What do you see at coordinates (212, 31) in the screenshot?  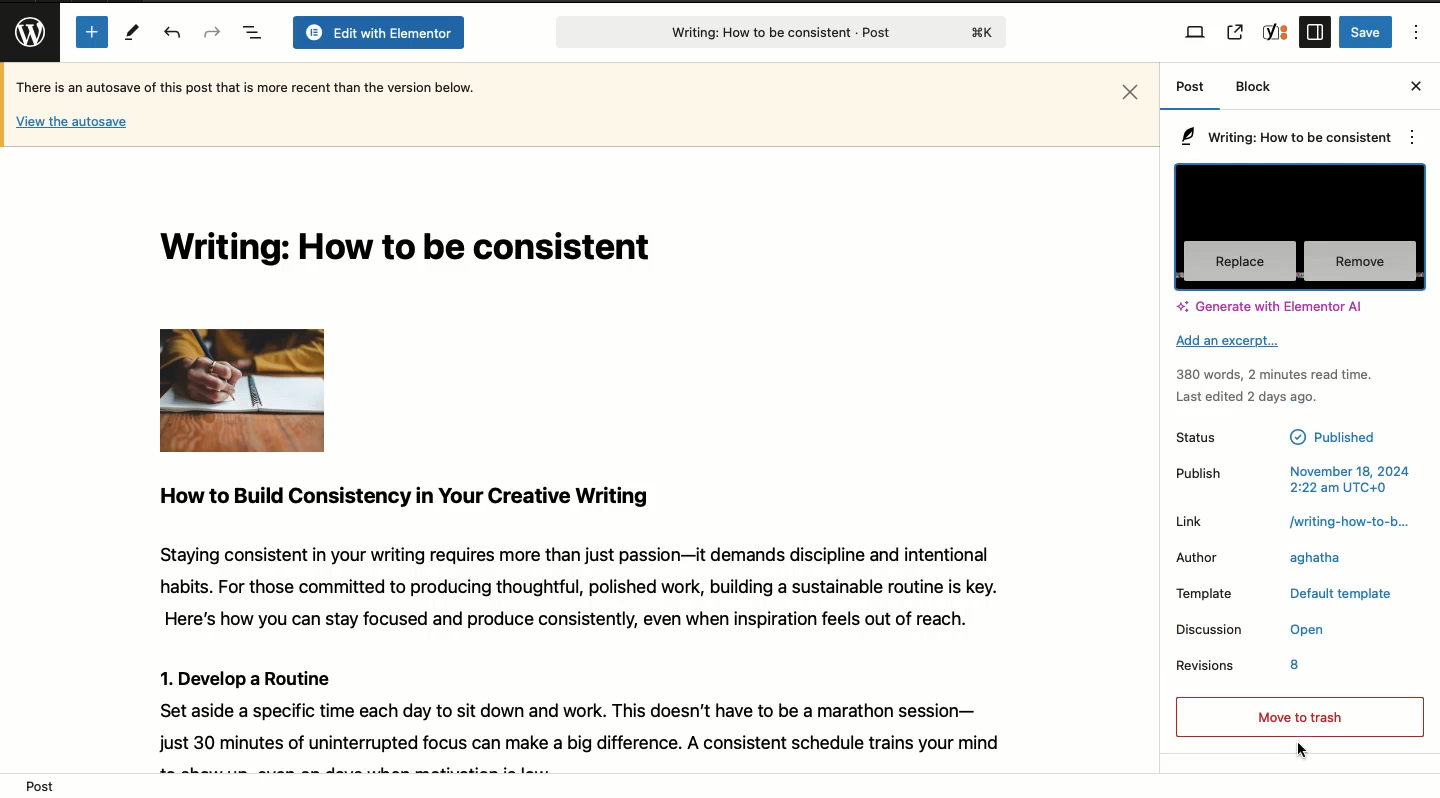 I see `Redo` at bounding box center [212, 31].